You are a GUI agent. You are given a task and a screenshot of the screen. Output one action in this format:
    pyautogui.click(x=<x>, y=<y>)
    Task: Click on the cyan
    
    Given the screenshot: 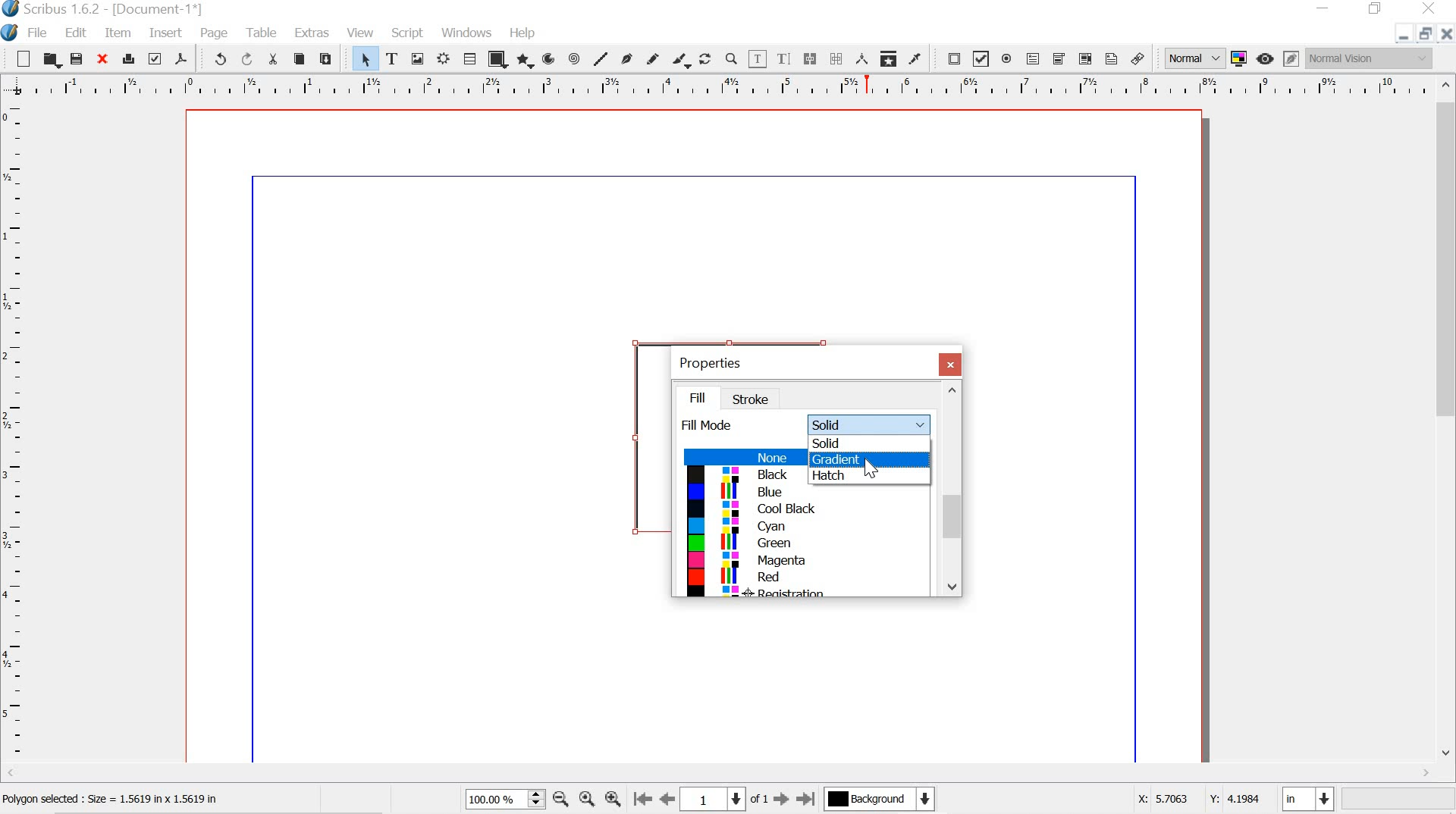 What is the action you would take?
    pyautogui.click(x=805, y=527)
    